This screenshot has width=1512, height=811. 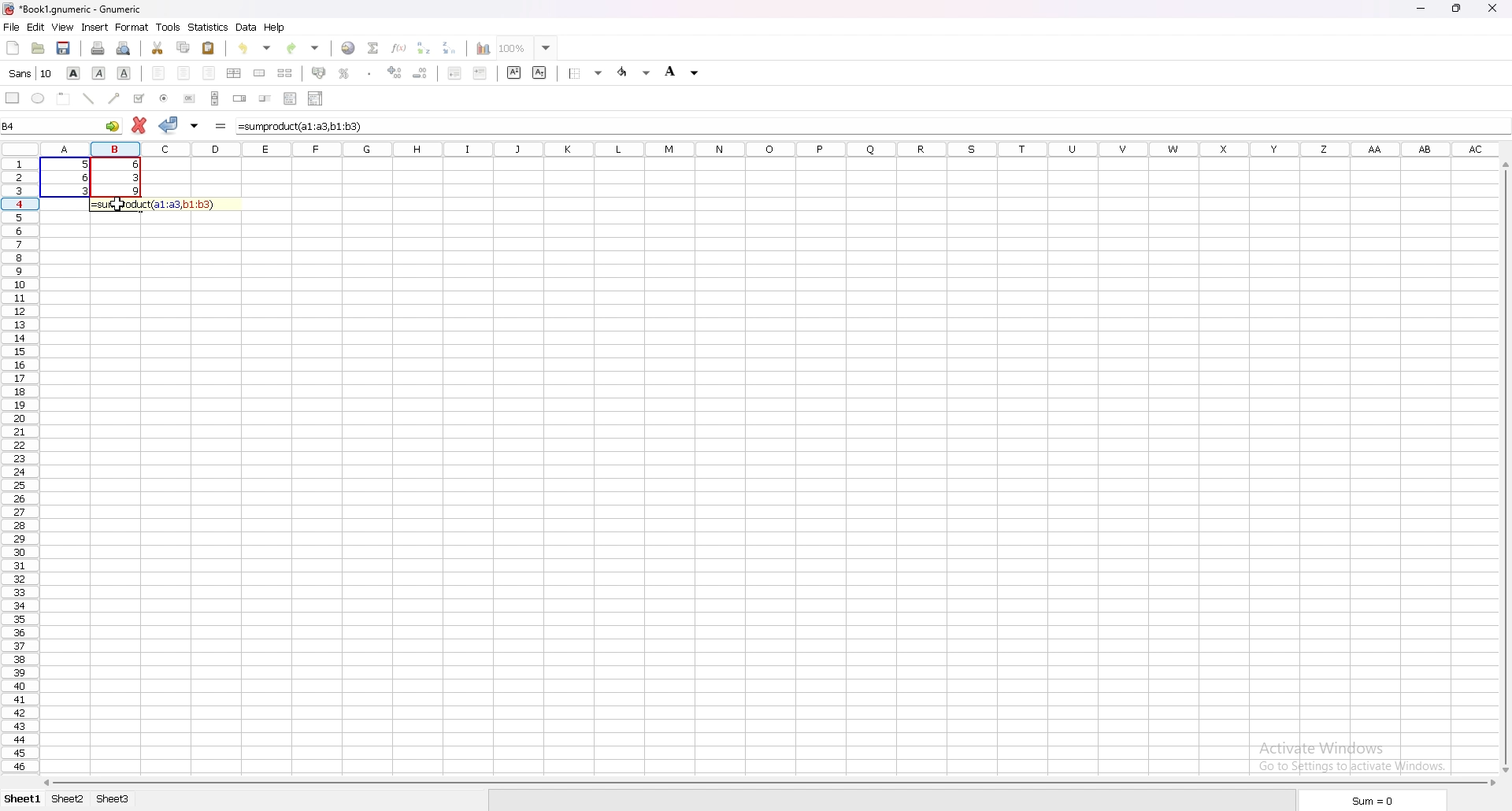 What do you see at coordinates (36, 27) in the screenshot?
I see `edit` at bounding box center [36, 27].